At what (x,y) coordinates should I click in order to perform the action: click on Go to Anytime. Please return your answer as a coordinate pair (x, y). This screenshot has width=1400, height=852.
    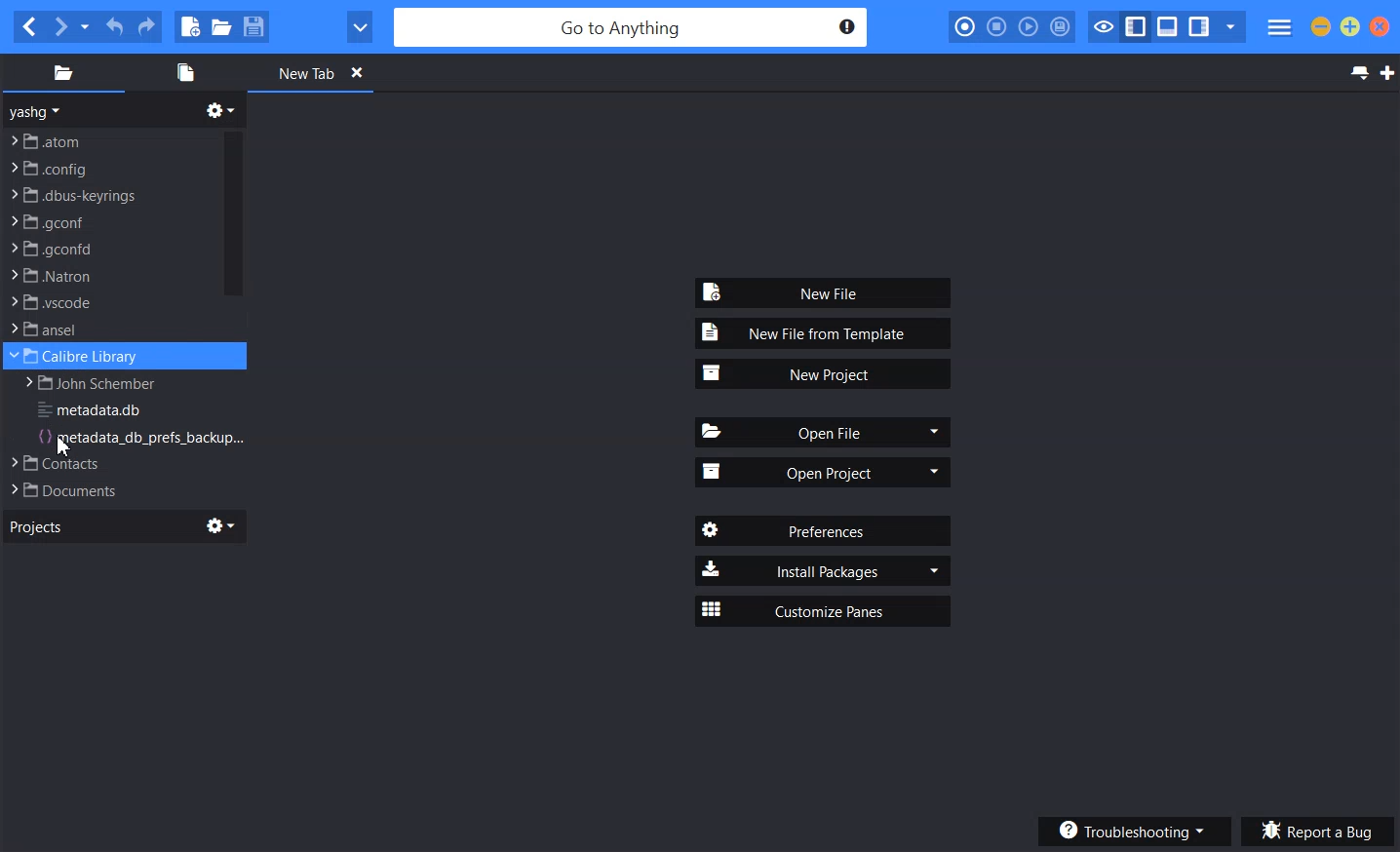
    Looking at the image, I should click on (633, 28).